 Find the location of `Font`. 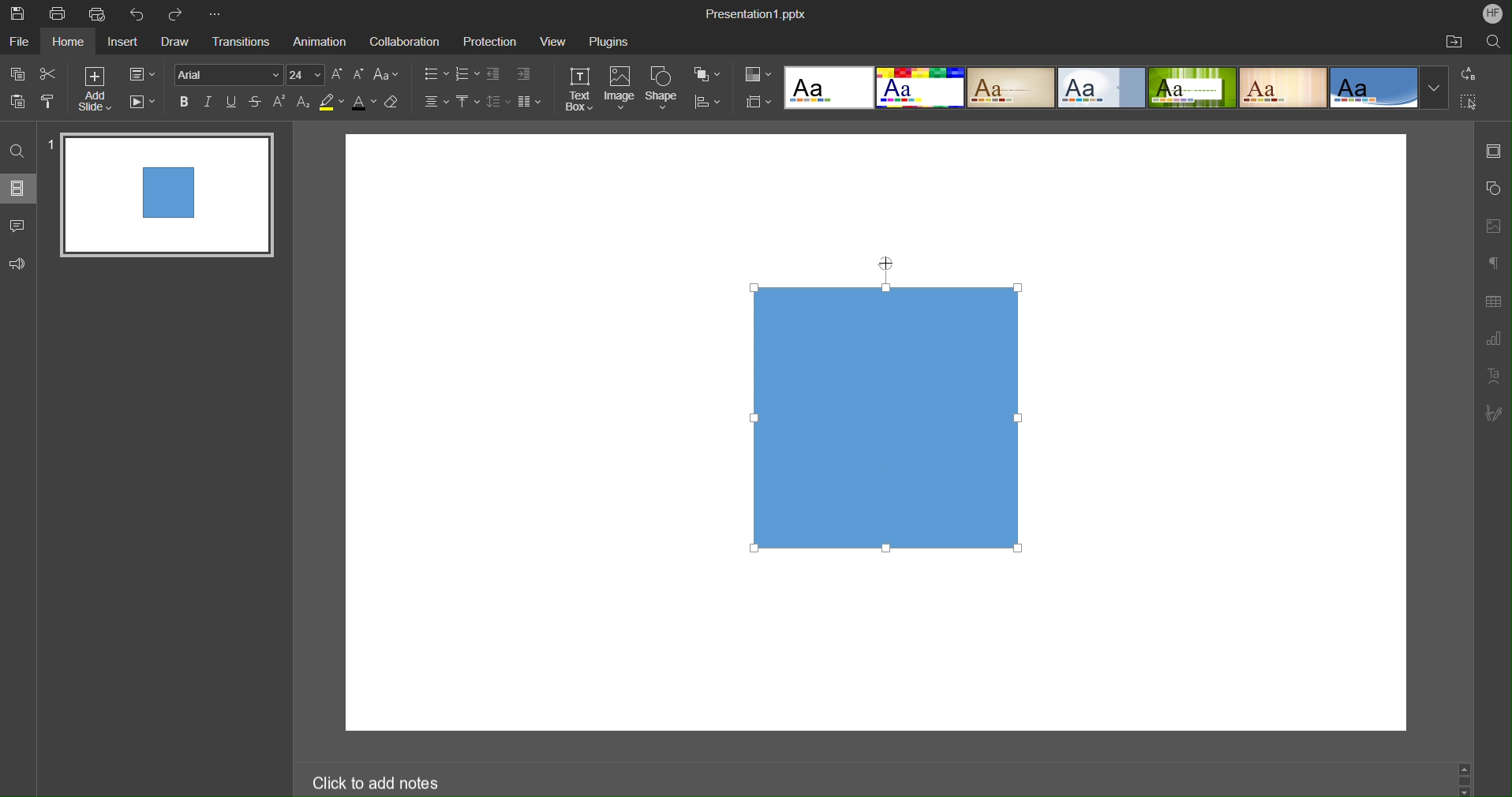

Font is located at coordinates (228, 75).